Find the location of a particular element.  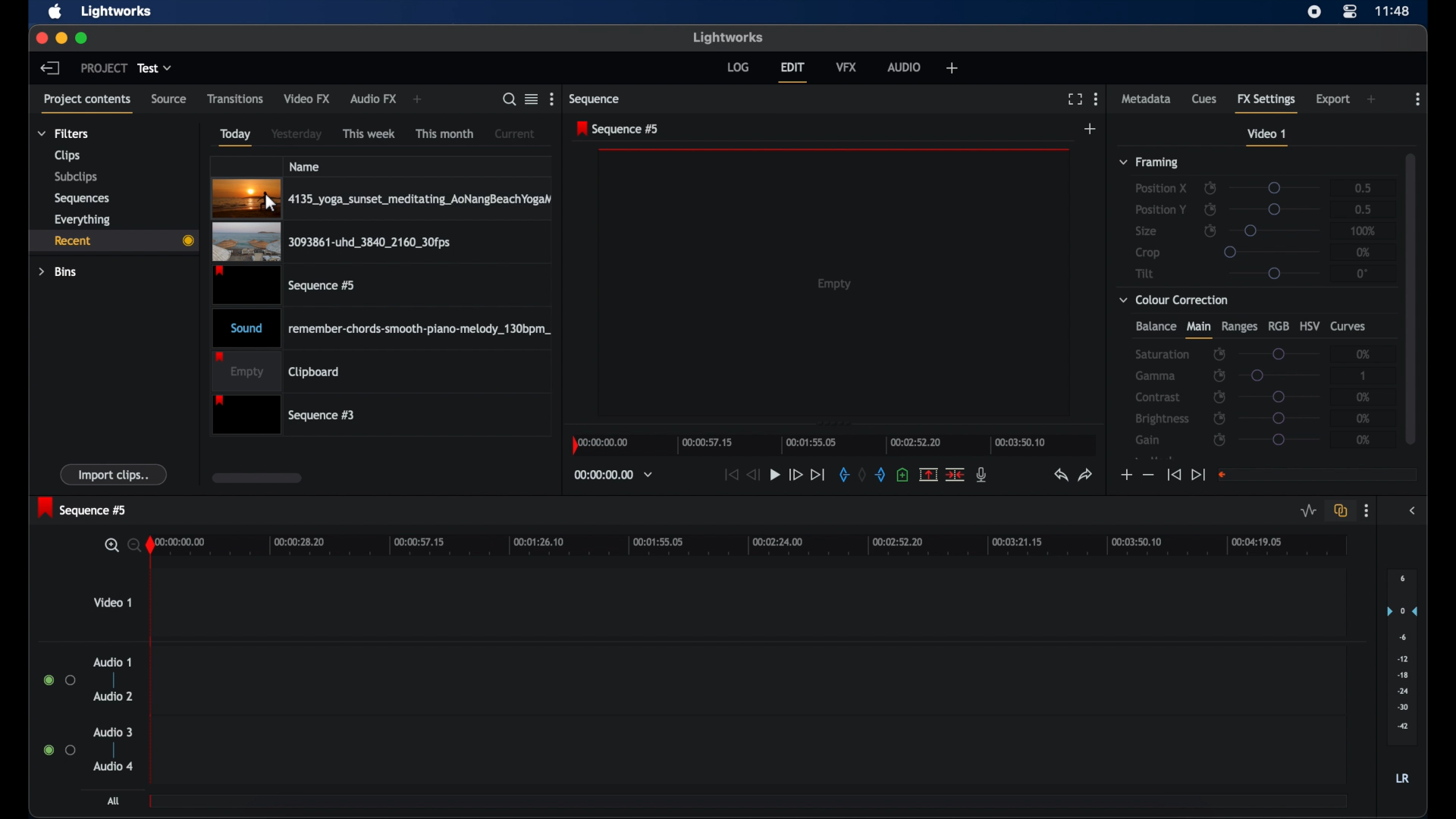

0% is located at coordinates (1363, 440).